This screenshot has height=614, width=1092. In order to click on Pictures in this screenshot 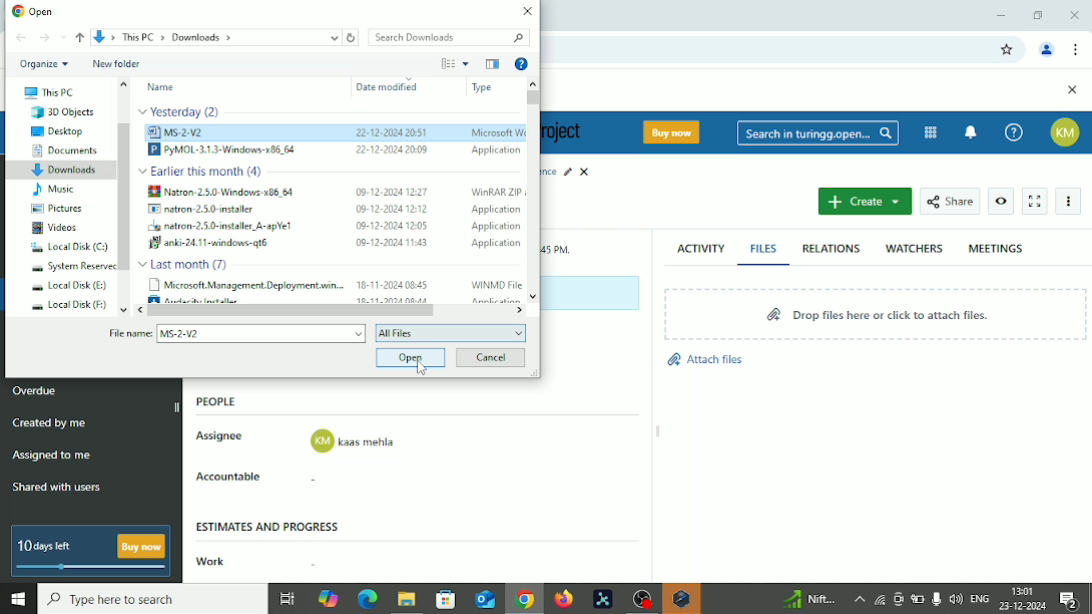, I will do `click(59, 208)`.